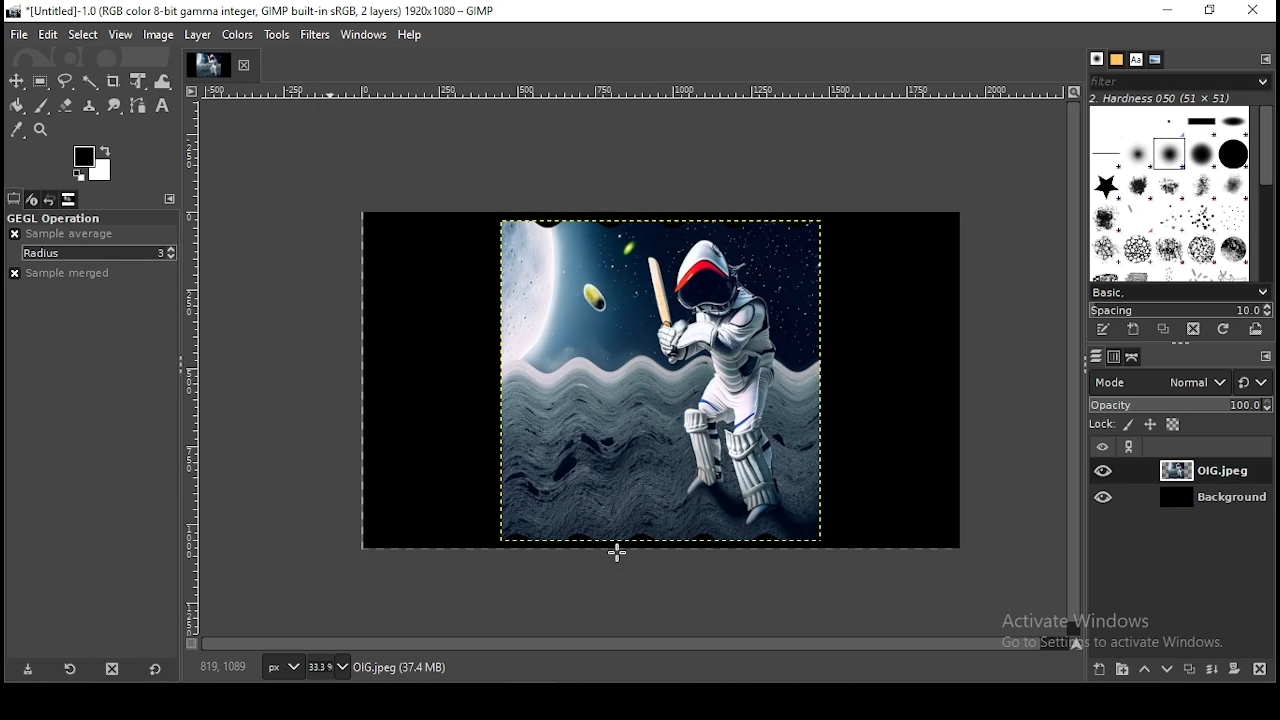 The image size is (1280, 720). What do you see at coordinates (1104, 332) in the screenshot?
I see `edit this brush` at bounding box center [1104, 332].